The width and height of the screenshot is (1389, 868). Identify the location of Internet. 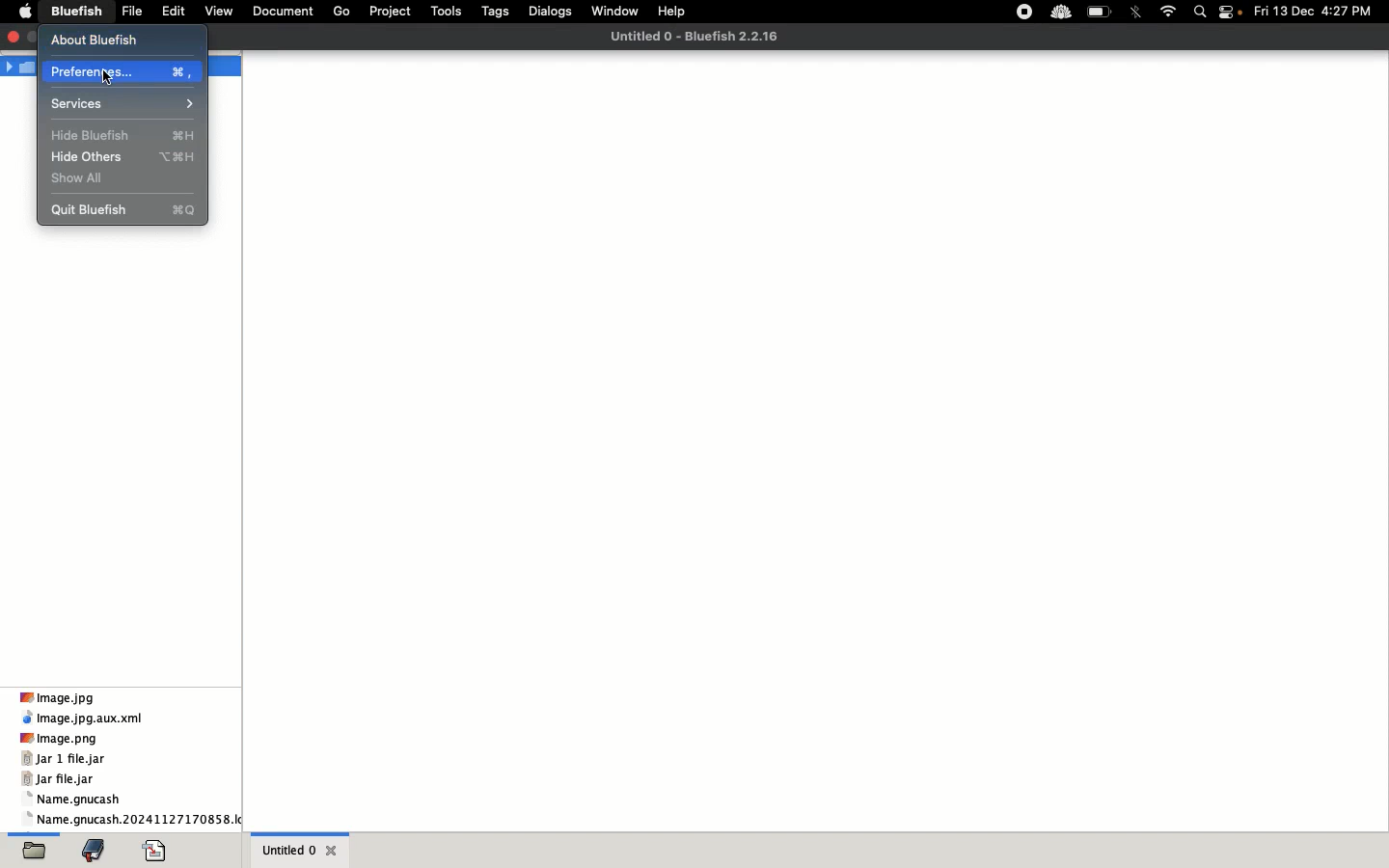
(1167, 11).